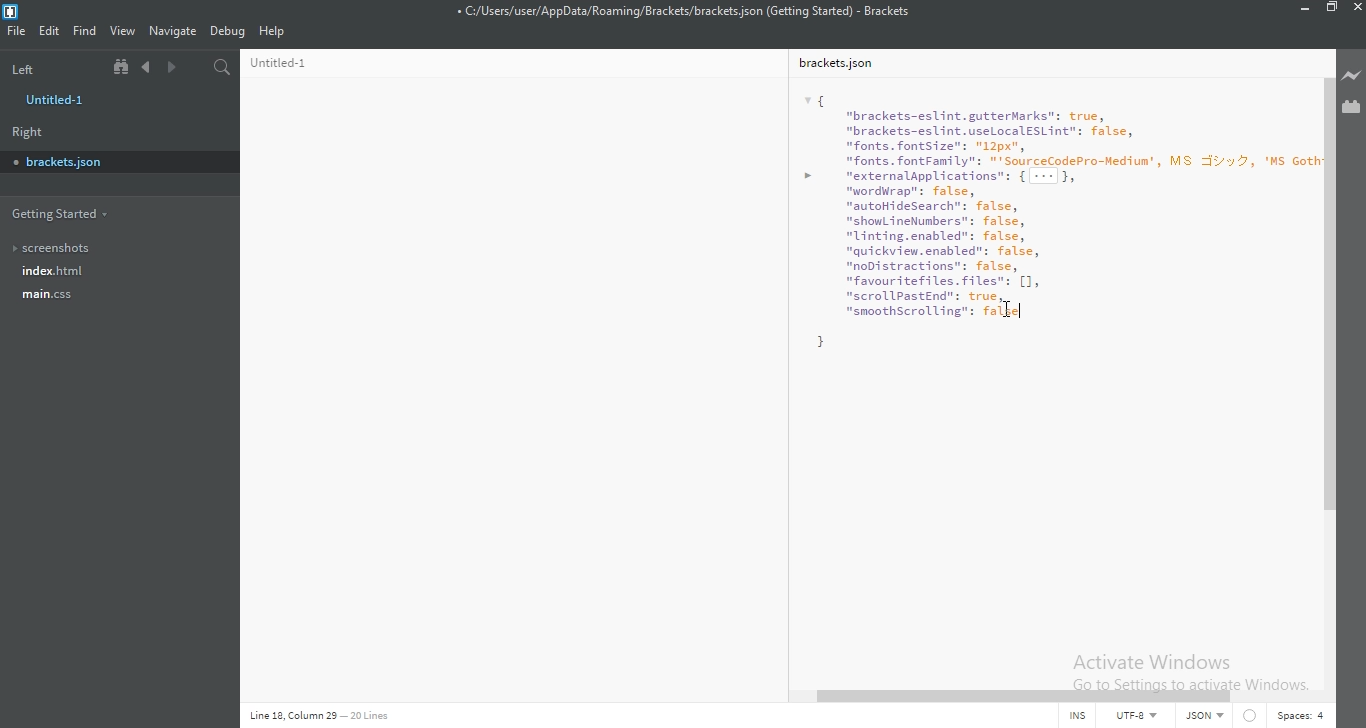  Describe the element at coordinates (1303, 10) in the screenshot. I see `Minimise` at that location.